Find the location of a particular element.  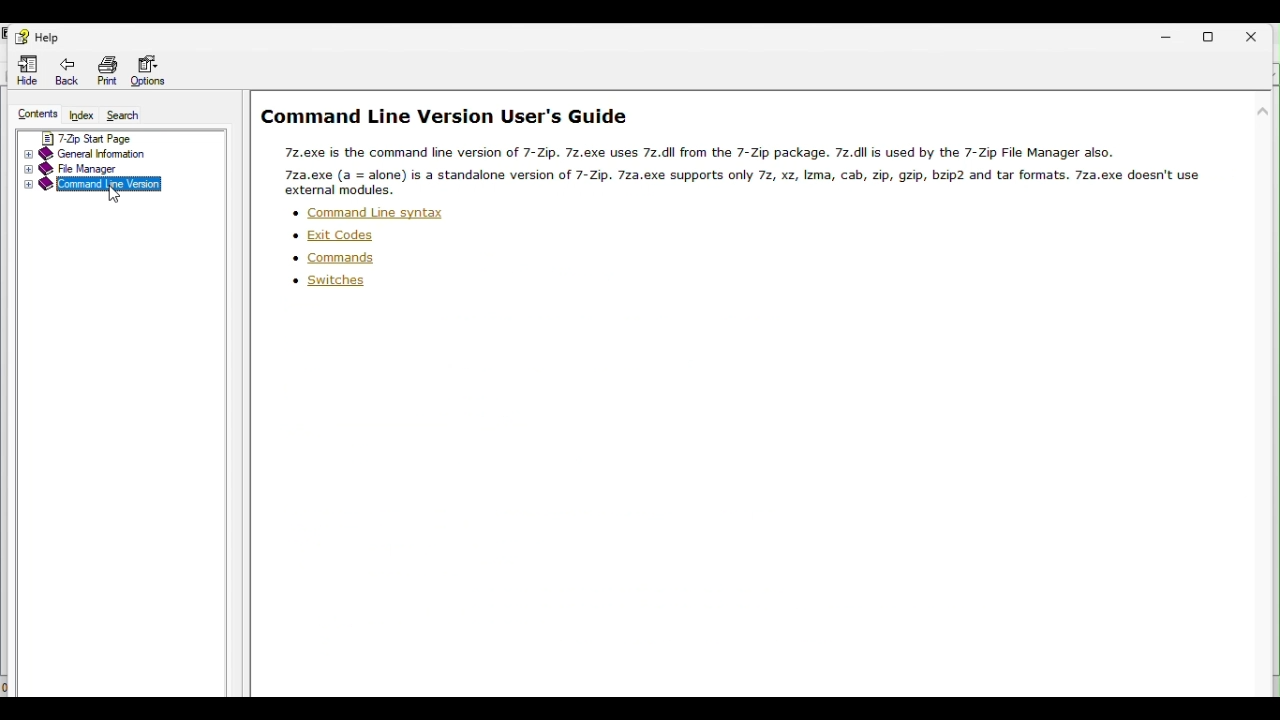

Back is located at coordinates (69, 68).